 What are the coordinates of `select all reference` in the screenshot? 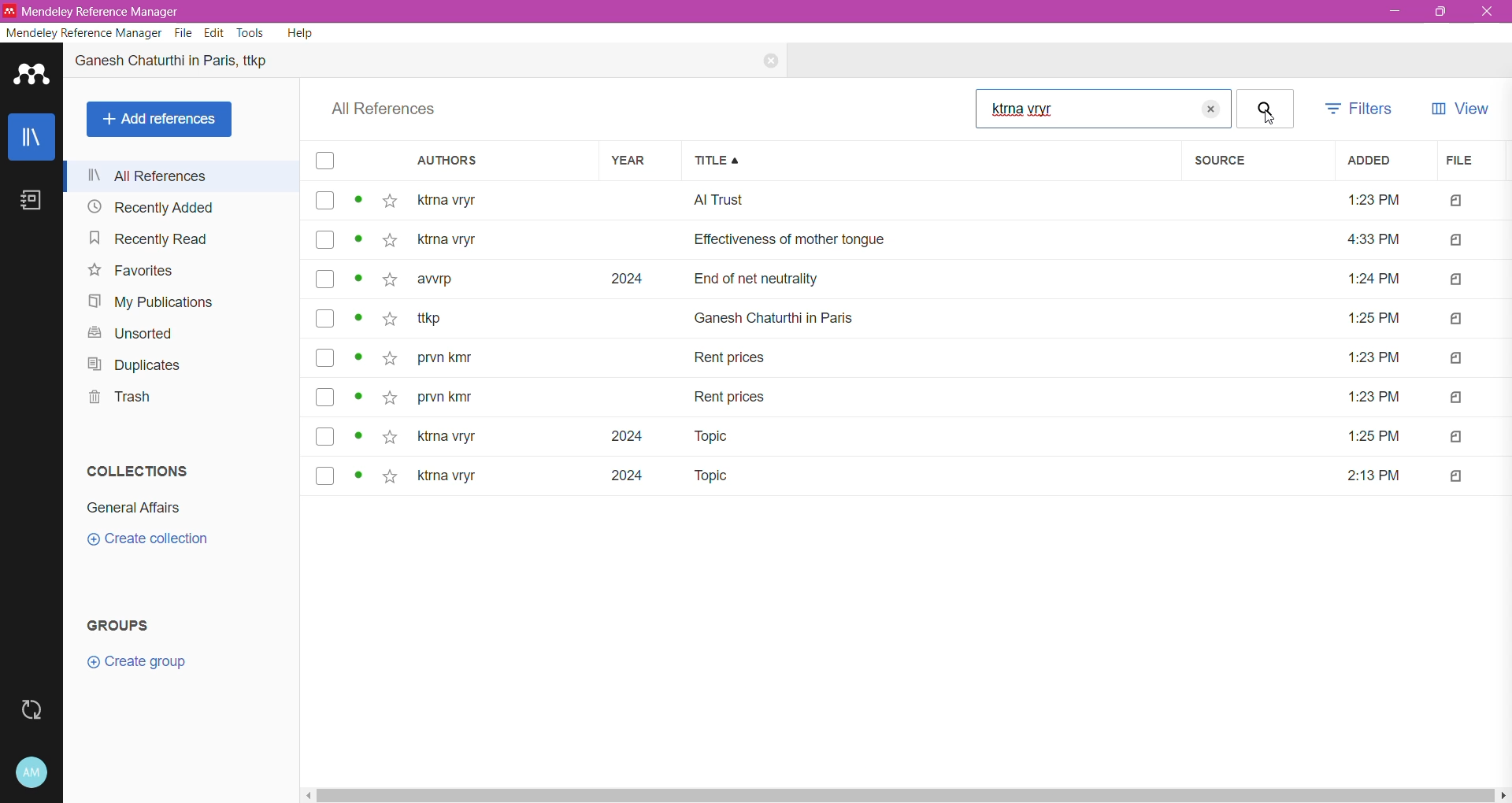 It's located at (328, 161).